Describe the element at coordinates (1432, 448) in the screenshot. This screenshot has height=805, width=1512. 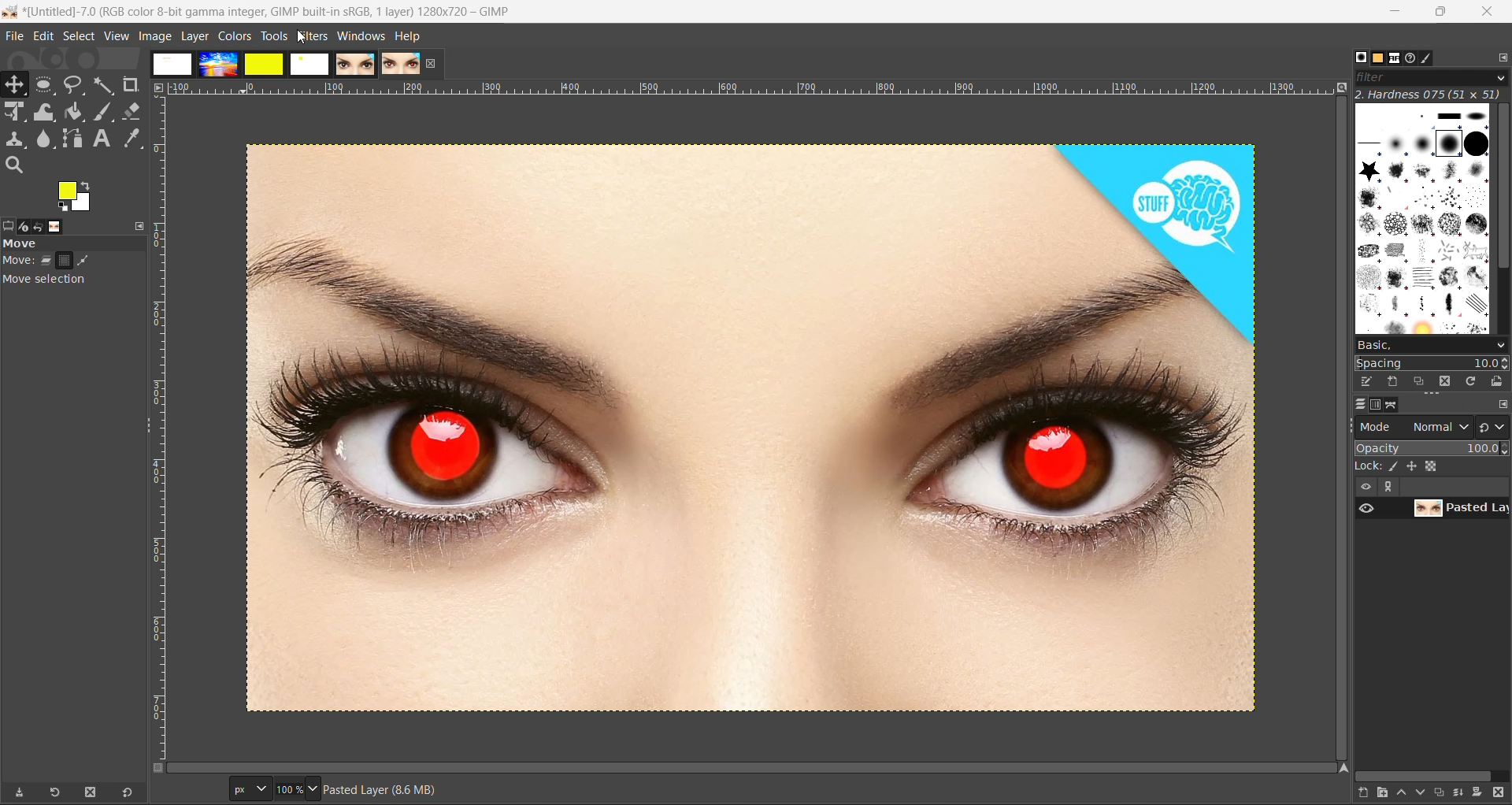
I see `opacity` at that location.